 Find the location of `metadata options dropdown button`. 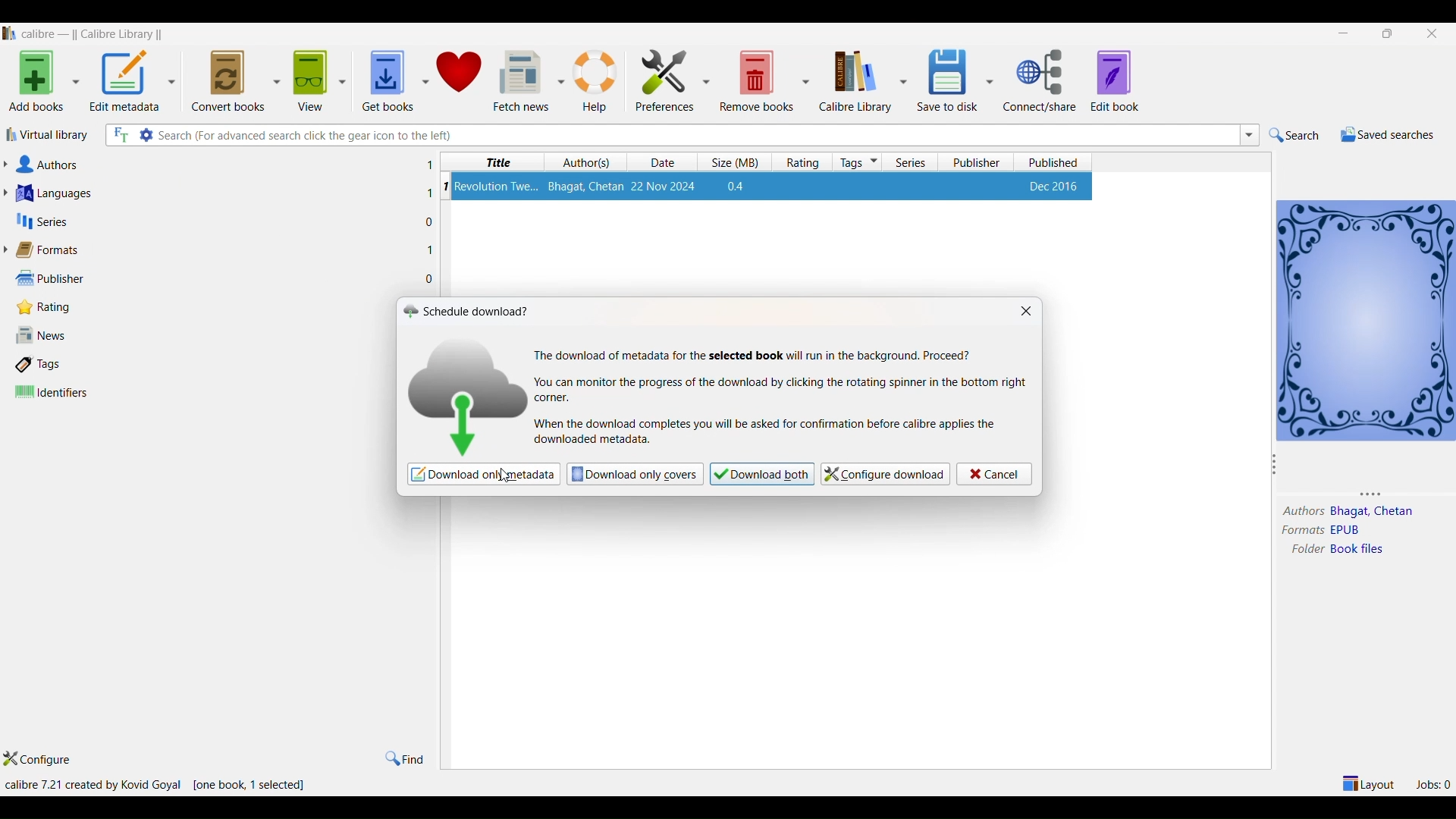

metadata options dropdown button is located at coordinates (176, 79).